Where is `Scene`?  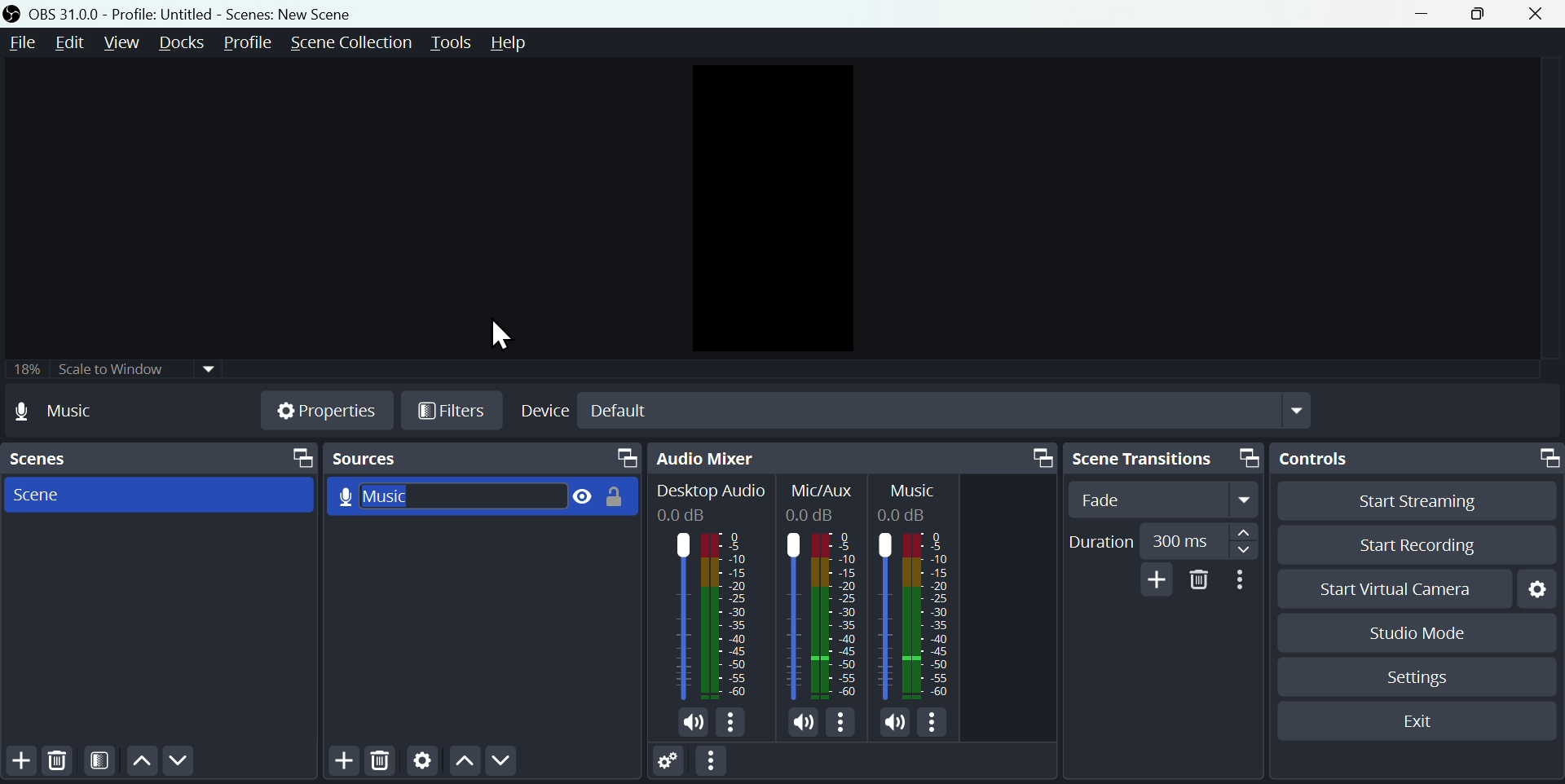
Scene is located at coordinates (46, 496).